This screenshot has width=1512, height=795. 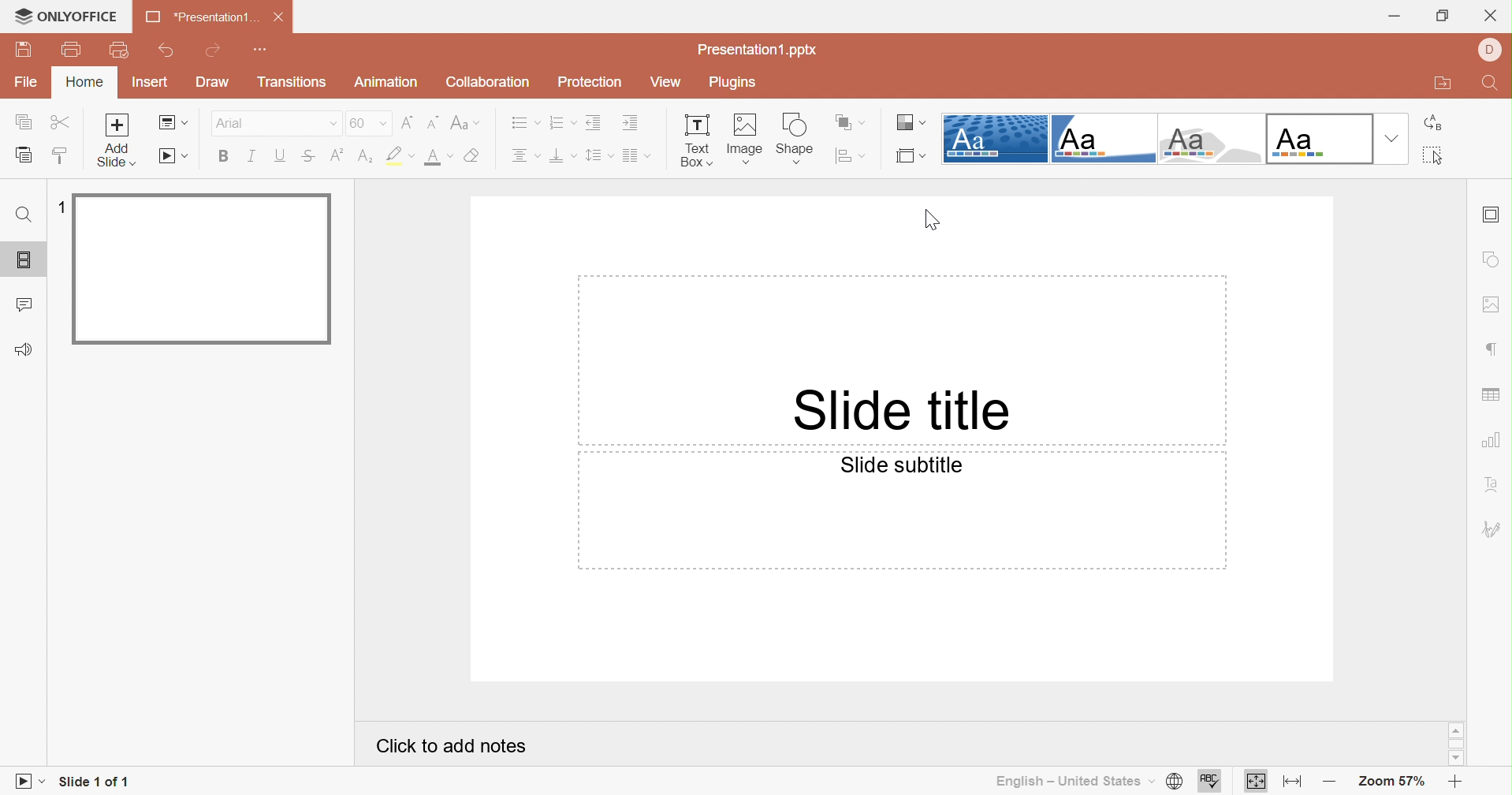 I want to click on Zoom out, so click(x=1453, y=782).